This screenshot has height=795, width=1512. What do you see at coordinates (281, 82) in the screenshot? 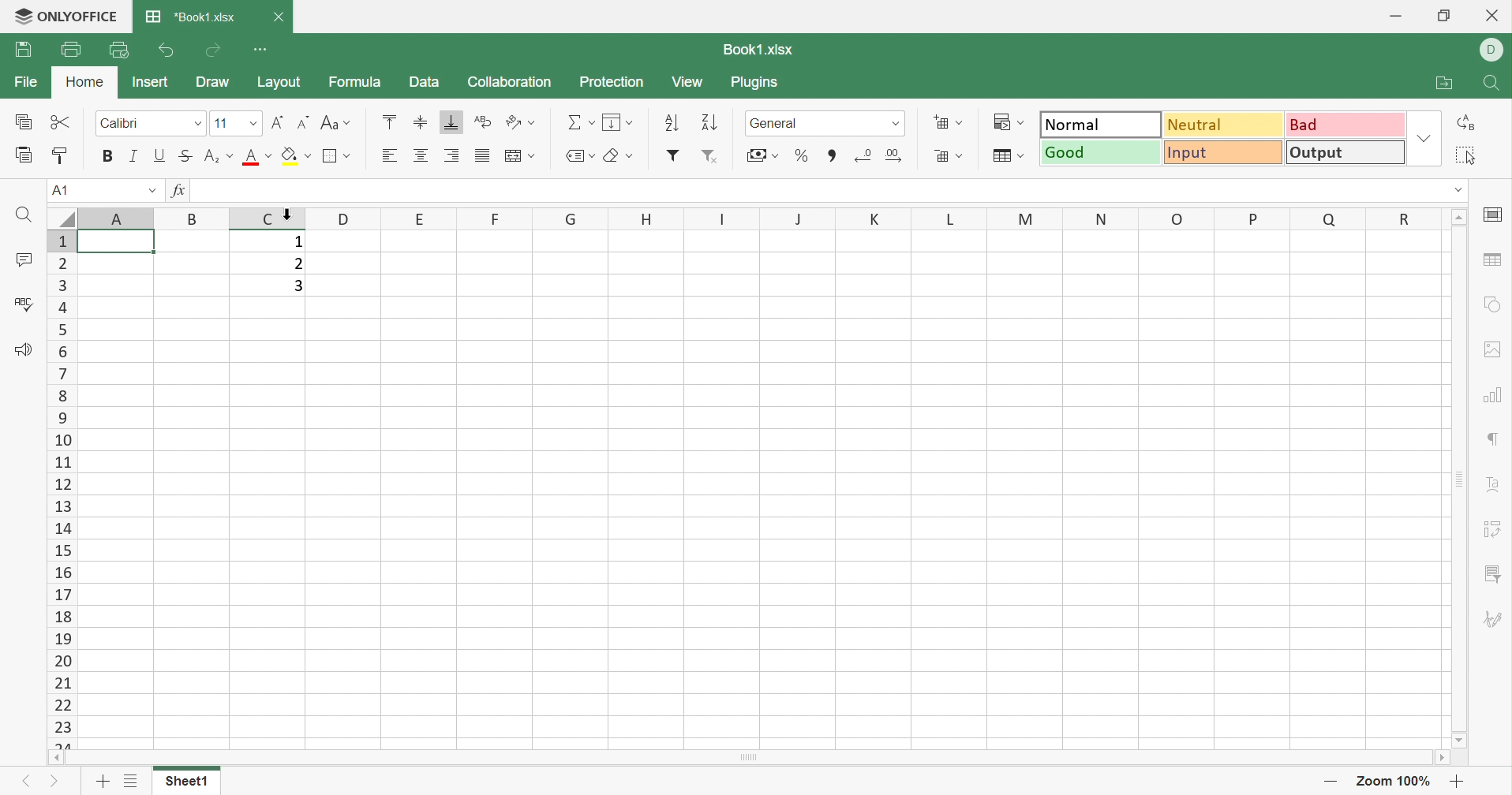
I see `Layout` at bounding box center [281, 82].